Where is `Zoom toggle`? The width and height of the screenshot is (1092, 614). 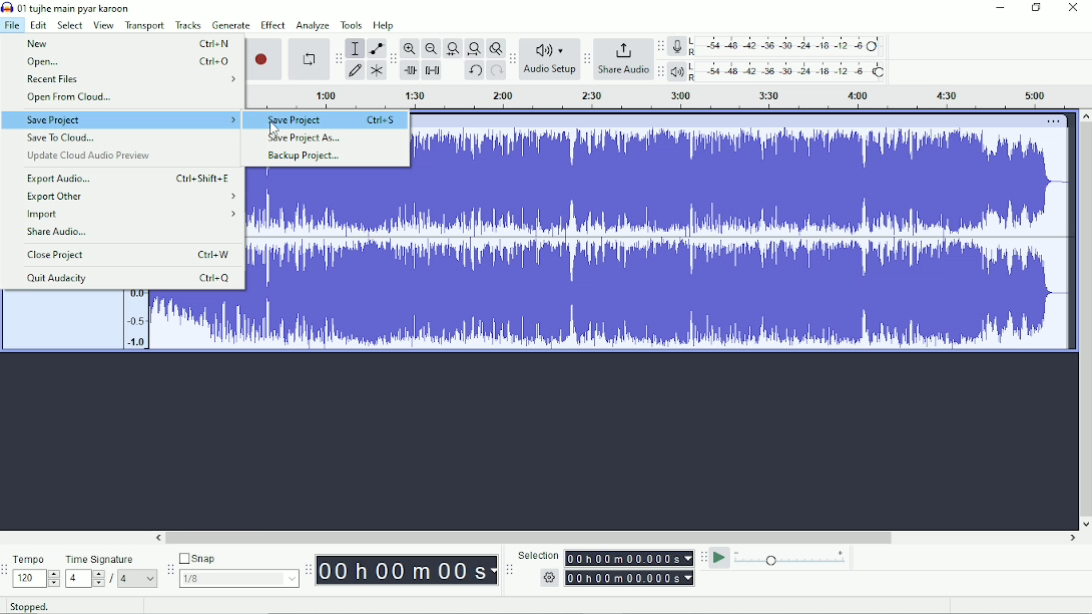 Zoom toggle is located at coordinates (495, 48).